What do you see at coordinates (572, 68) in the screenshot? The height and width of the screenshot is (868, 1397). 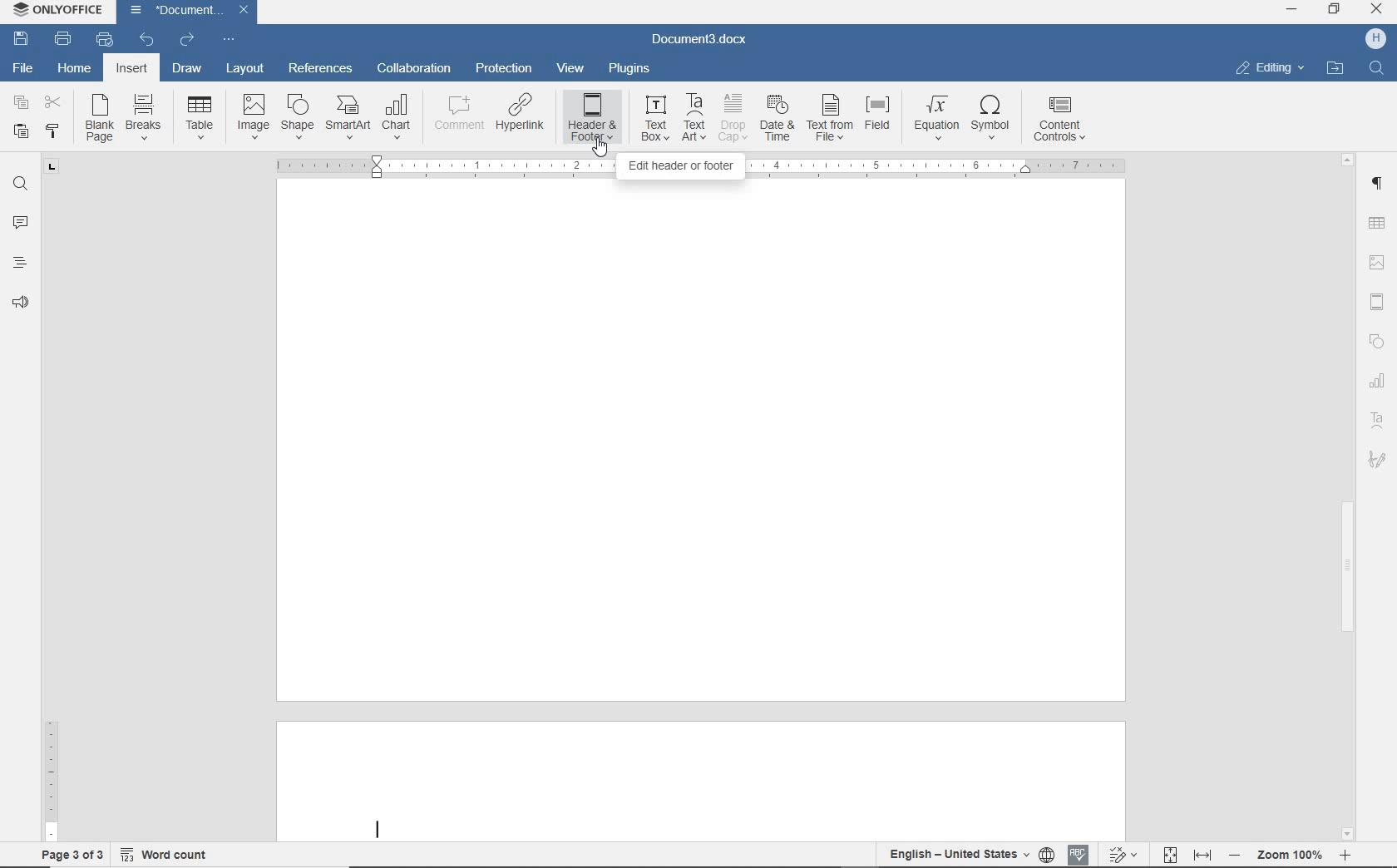 I see `VIEW` at bounding box center [572, 68].